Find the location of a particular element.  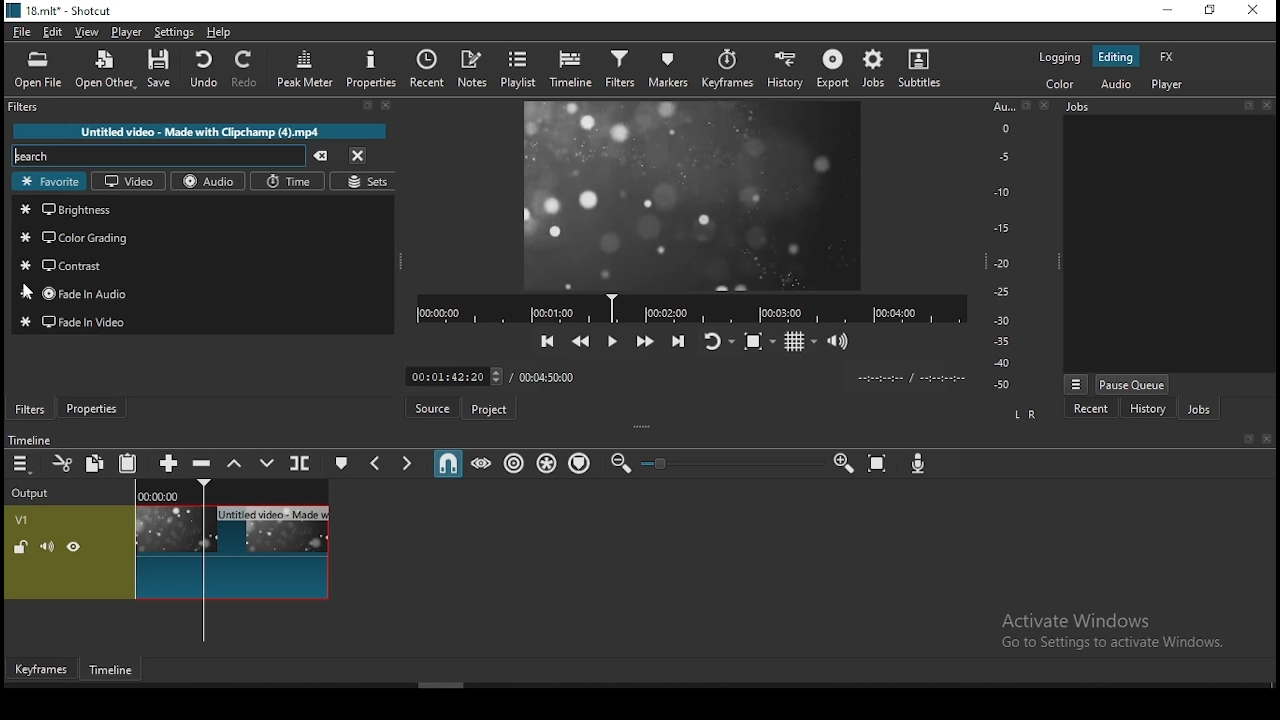

append is located at coordinates (171, 462).